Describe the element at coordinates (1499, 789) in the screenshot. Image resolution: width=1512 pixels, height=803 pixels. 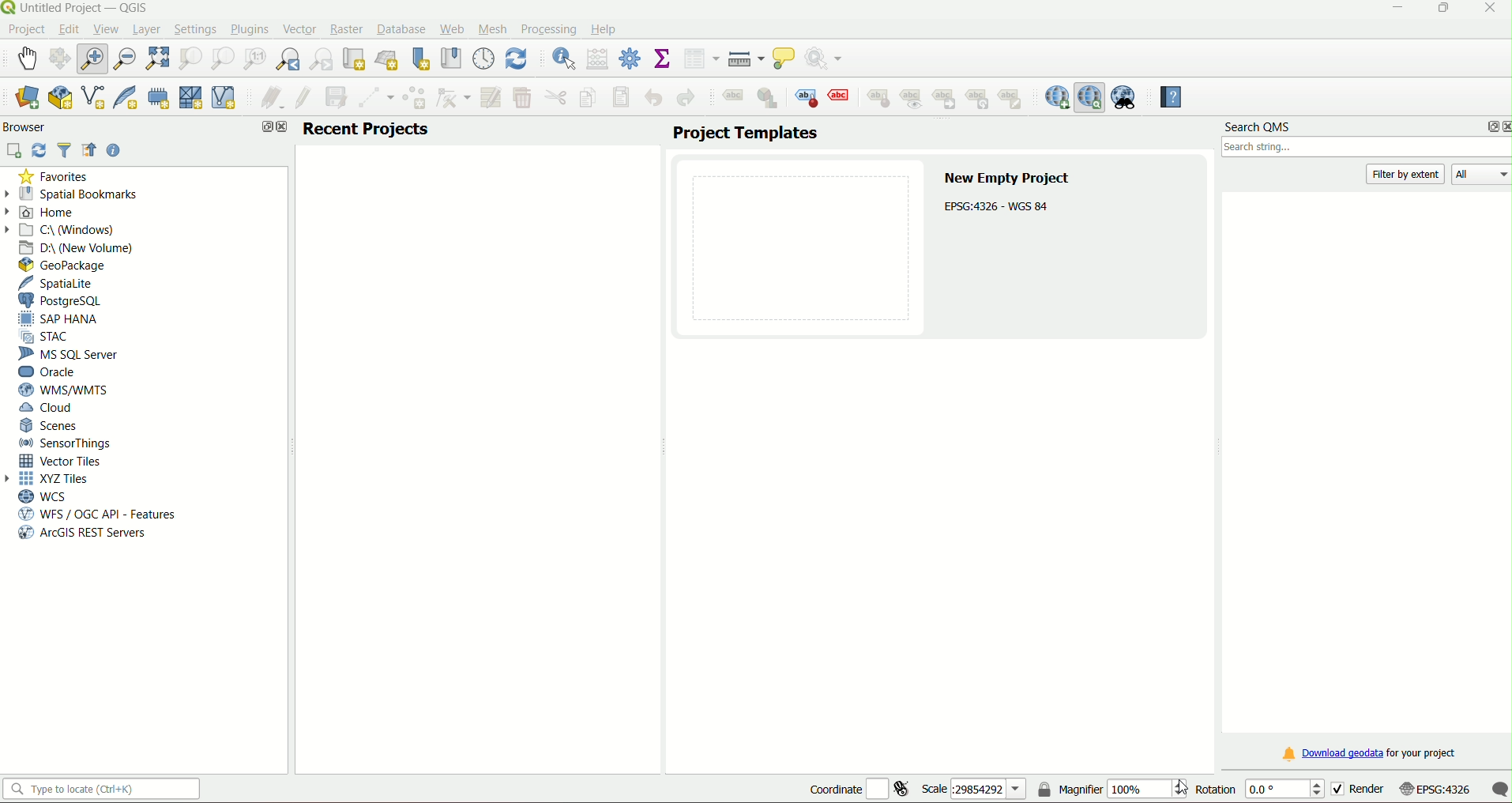
I see `comment` at that location.